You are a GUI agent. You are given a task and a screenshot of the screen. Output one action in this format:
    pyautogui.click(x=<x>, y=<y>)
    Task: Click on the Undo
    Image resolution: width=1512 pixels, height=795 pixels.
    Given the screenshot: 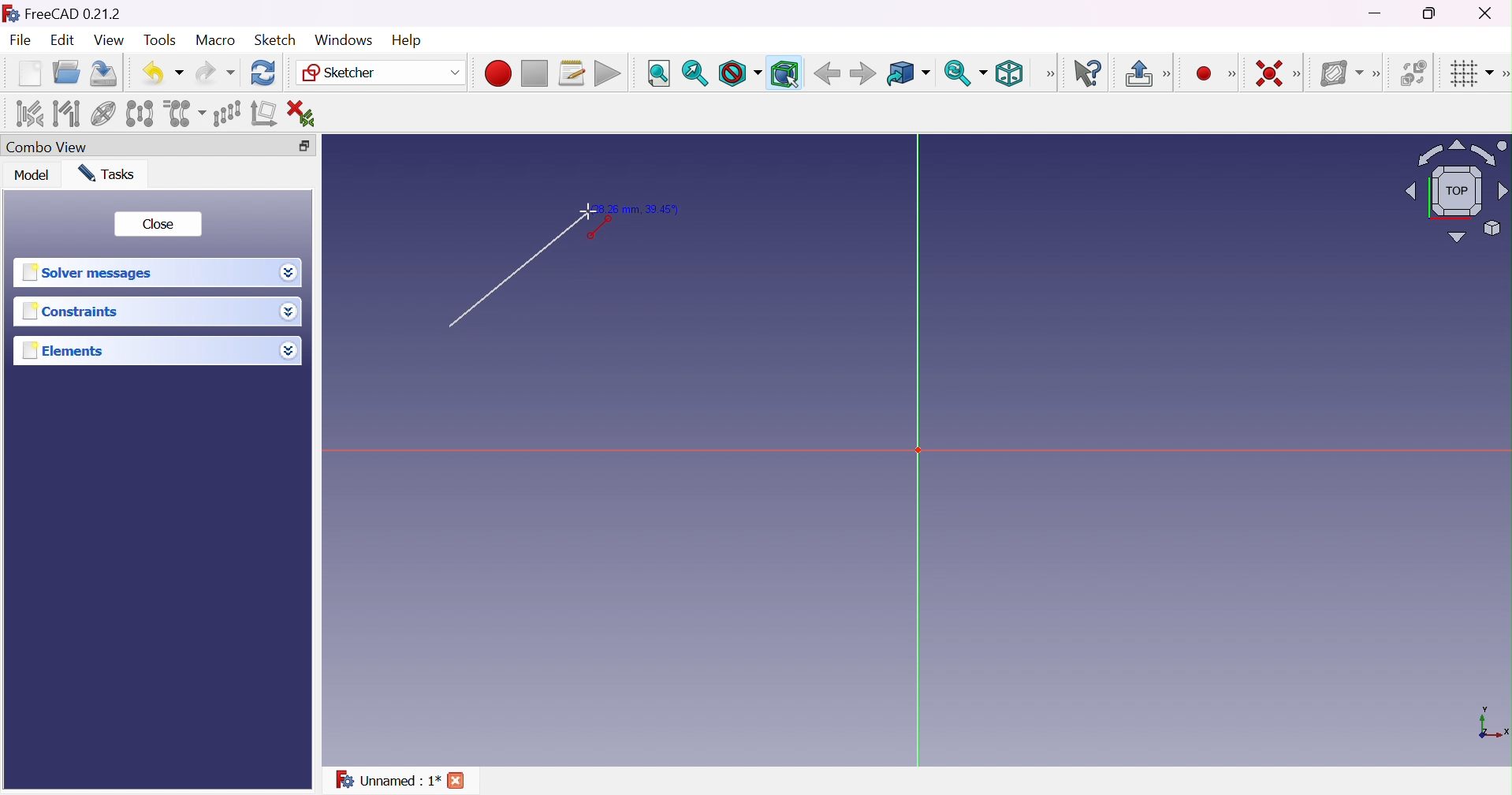 What is the action you would take?
    pyautogui.click(x=162, y=72)
    